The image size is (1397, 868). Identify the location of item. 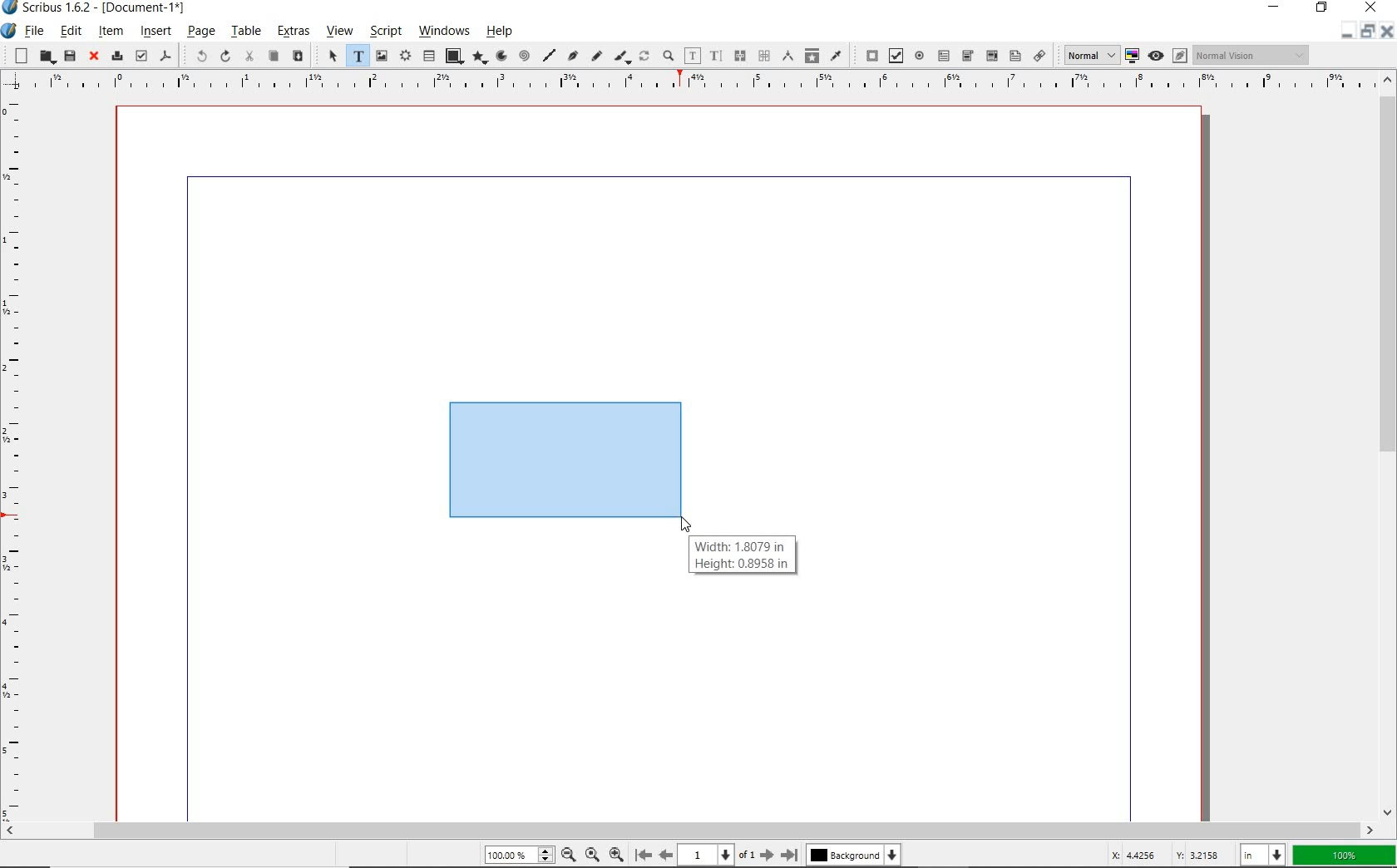
(112, 33).